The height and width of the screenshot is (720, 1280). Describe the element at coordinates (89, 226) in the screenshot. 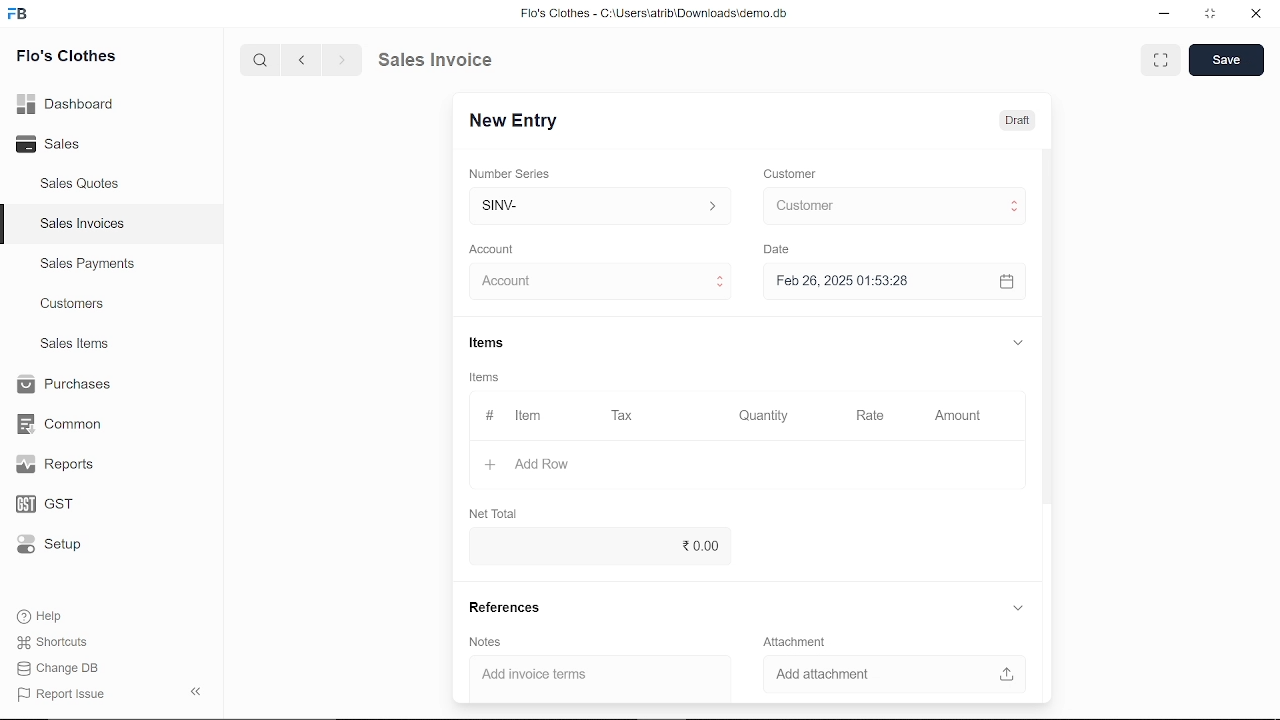

I see `Sales Invoices` at that location.